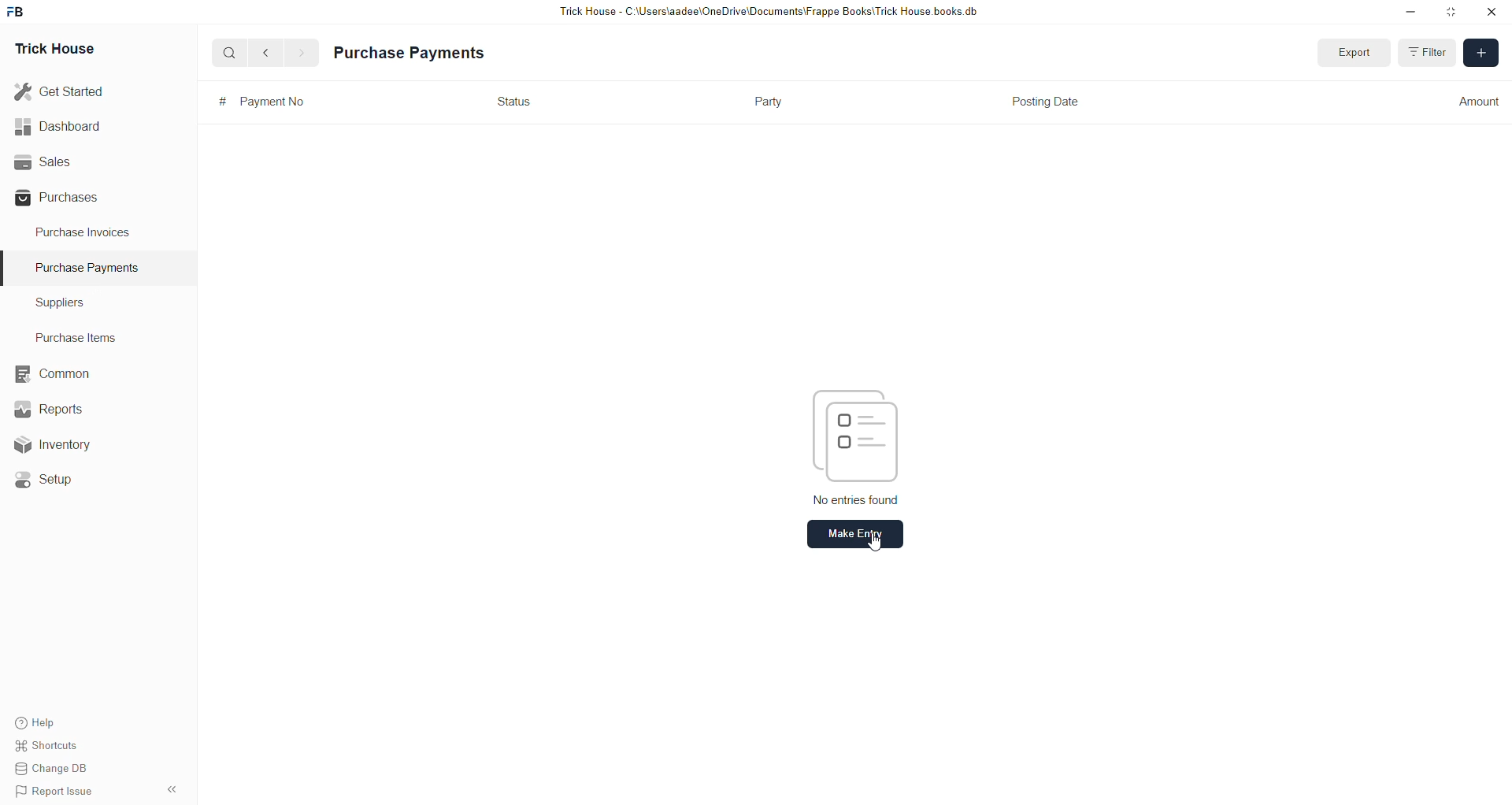  What do you see at coordinates (231, 53) in the screenshot?
I see `search` at bounding box center [231, 53].